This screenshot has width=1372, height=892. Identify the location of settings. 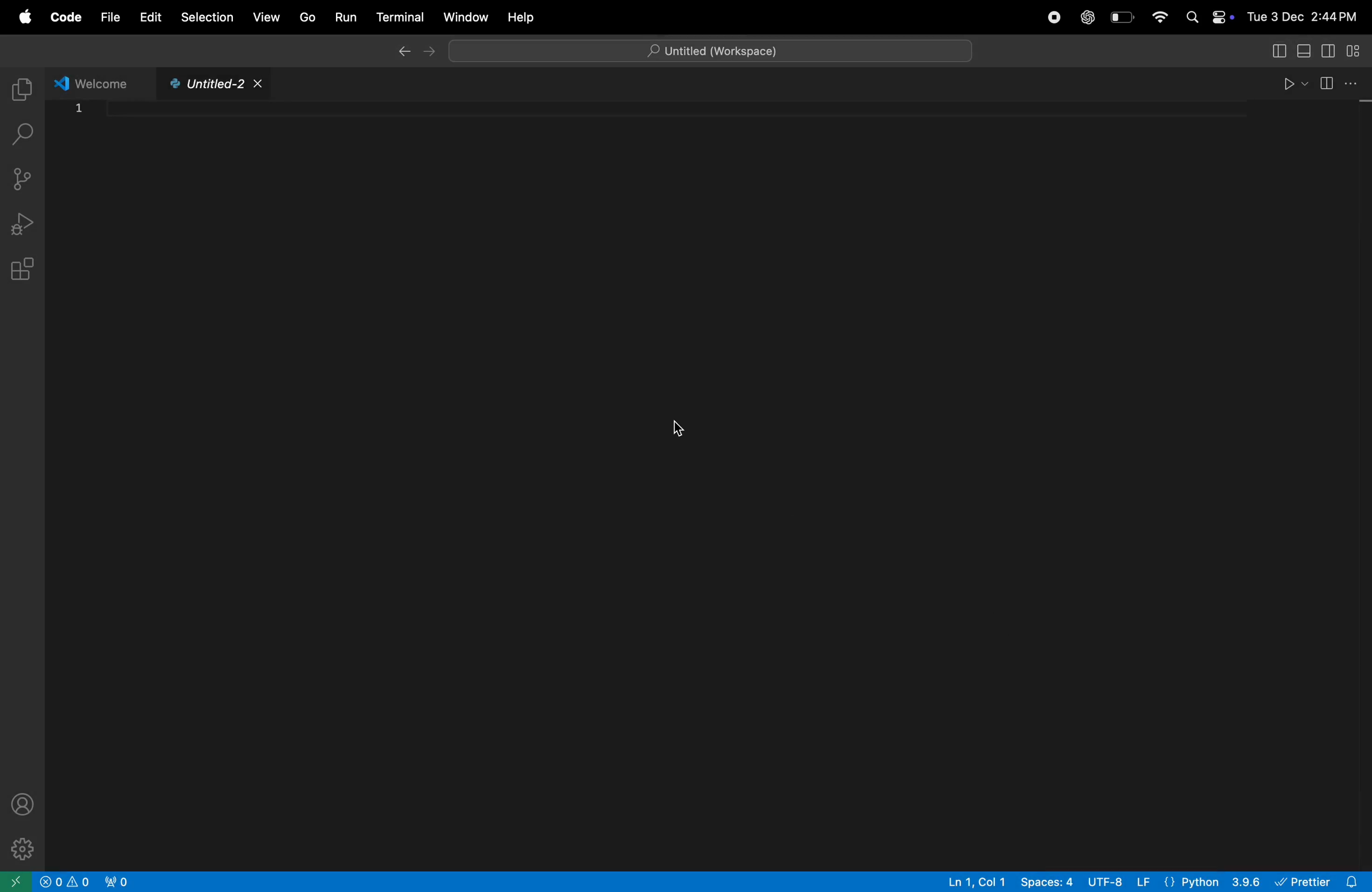
(21, 848).